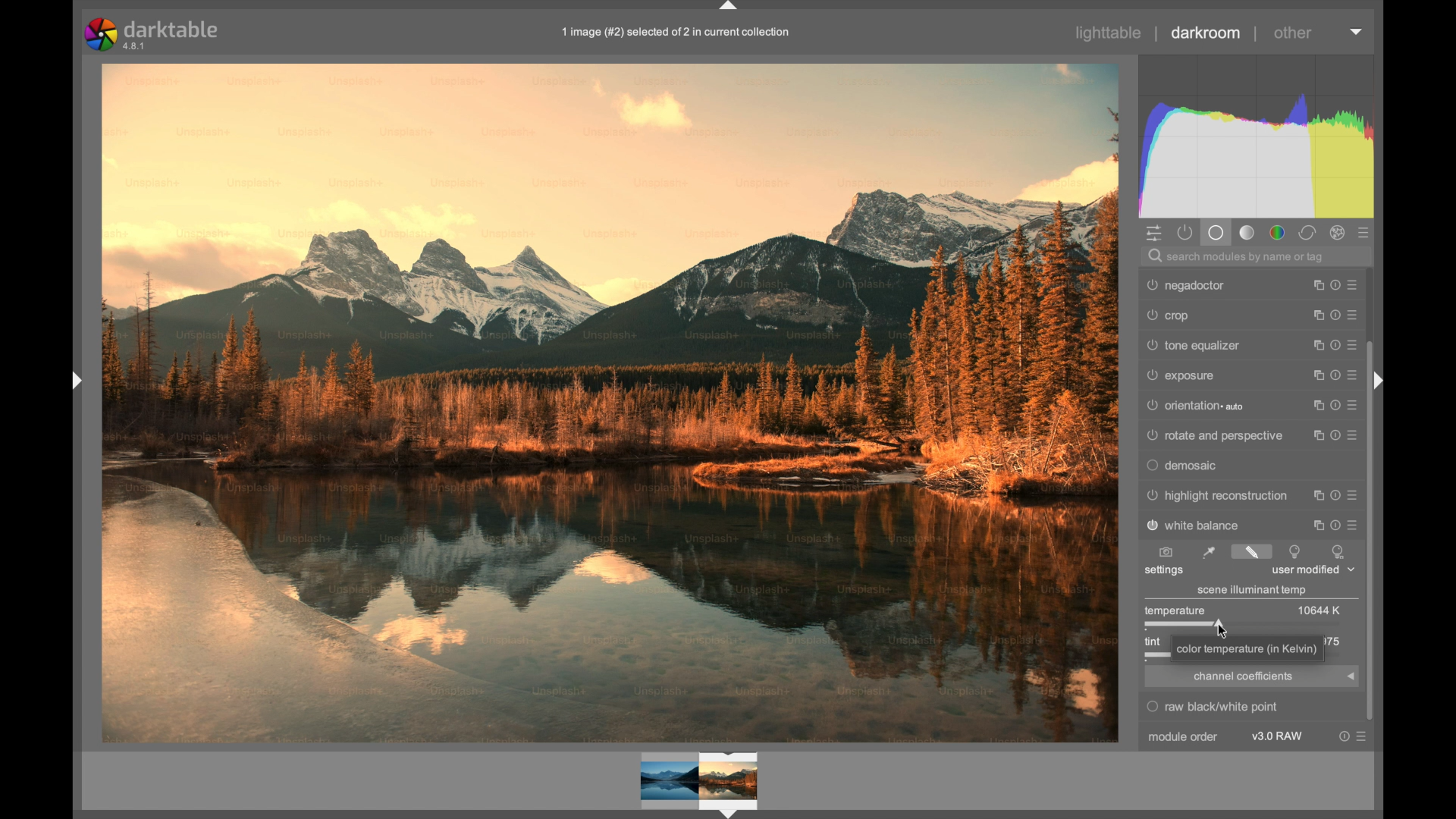  Describe the element at coordinates (1164, 572) in the screenshot. I see `settings` at that location.